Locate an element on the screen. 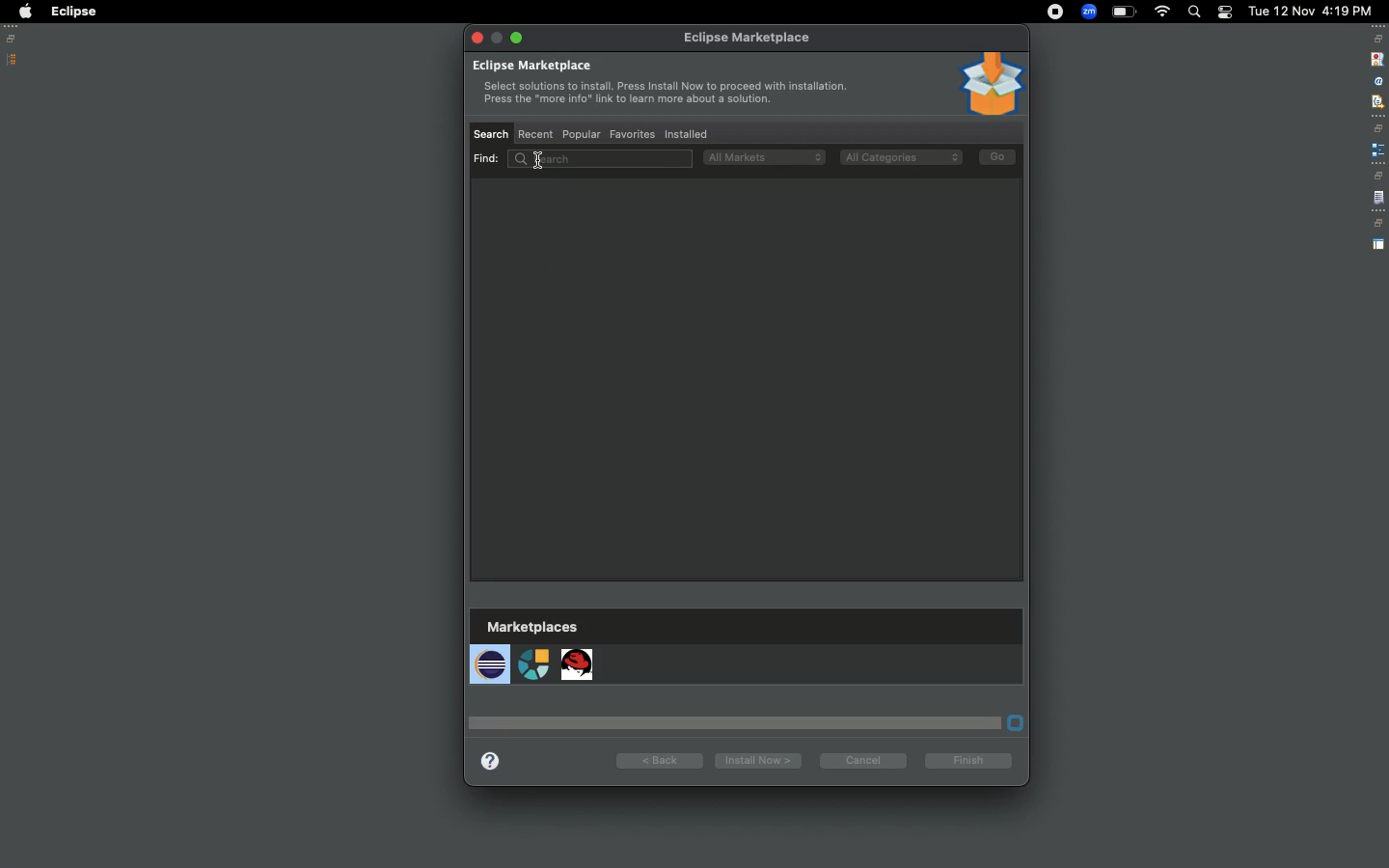  Search is located at coordinates (491, 133).